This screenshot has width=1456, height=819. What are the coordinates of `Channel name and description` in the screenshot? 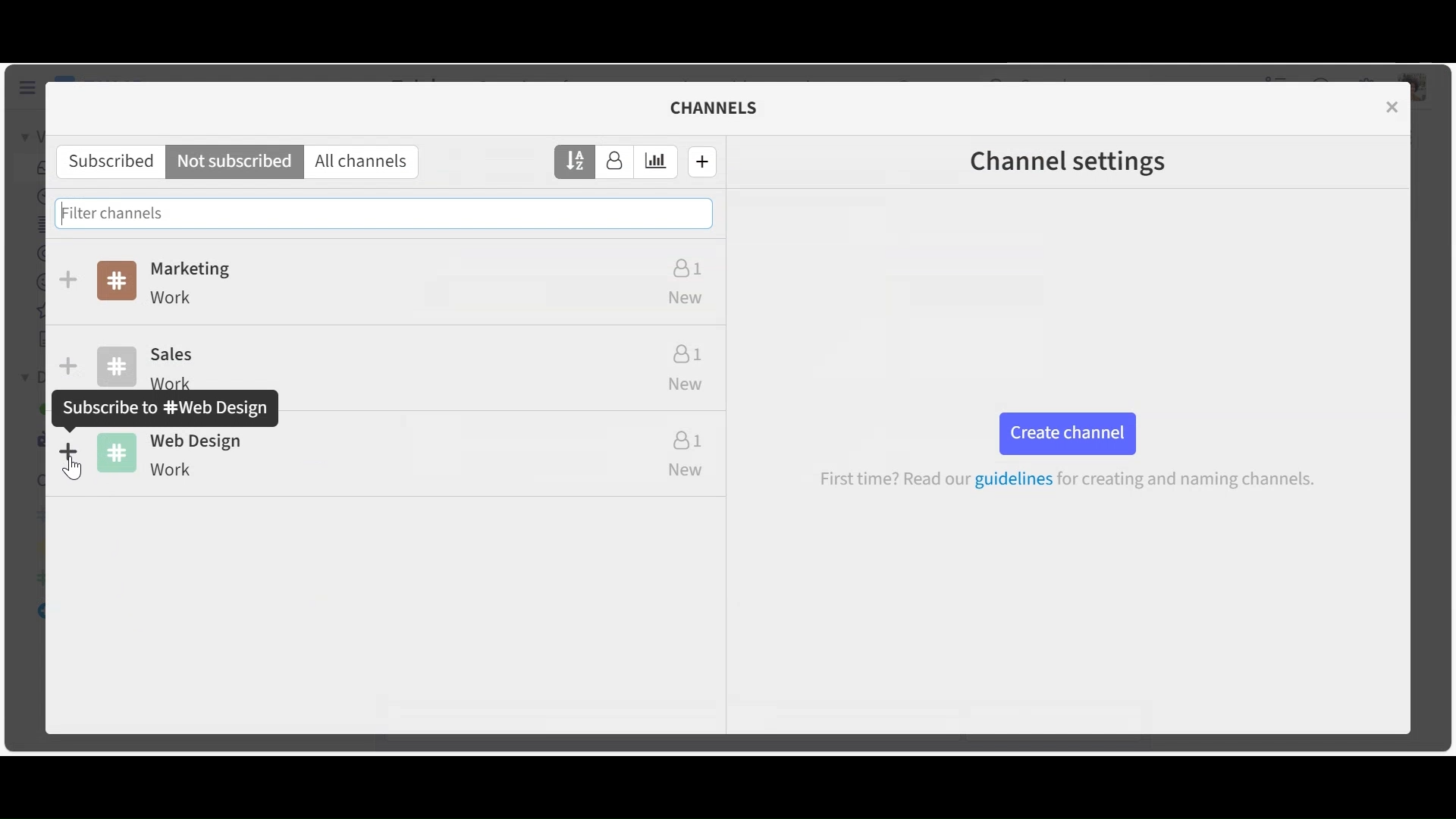 It's located at (403, 284).